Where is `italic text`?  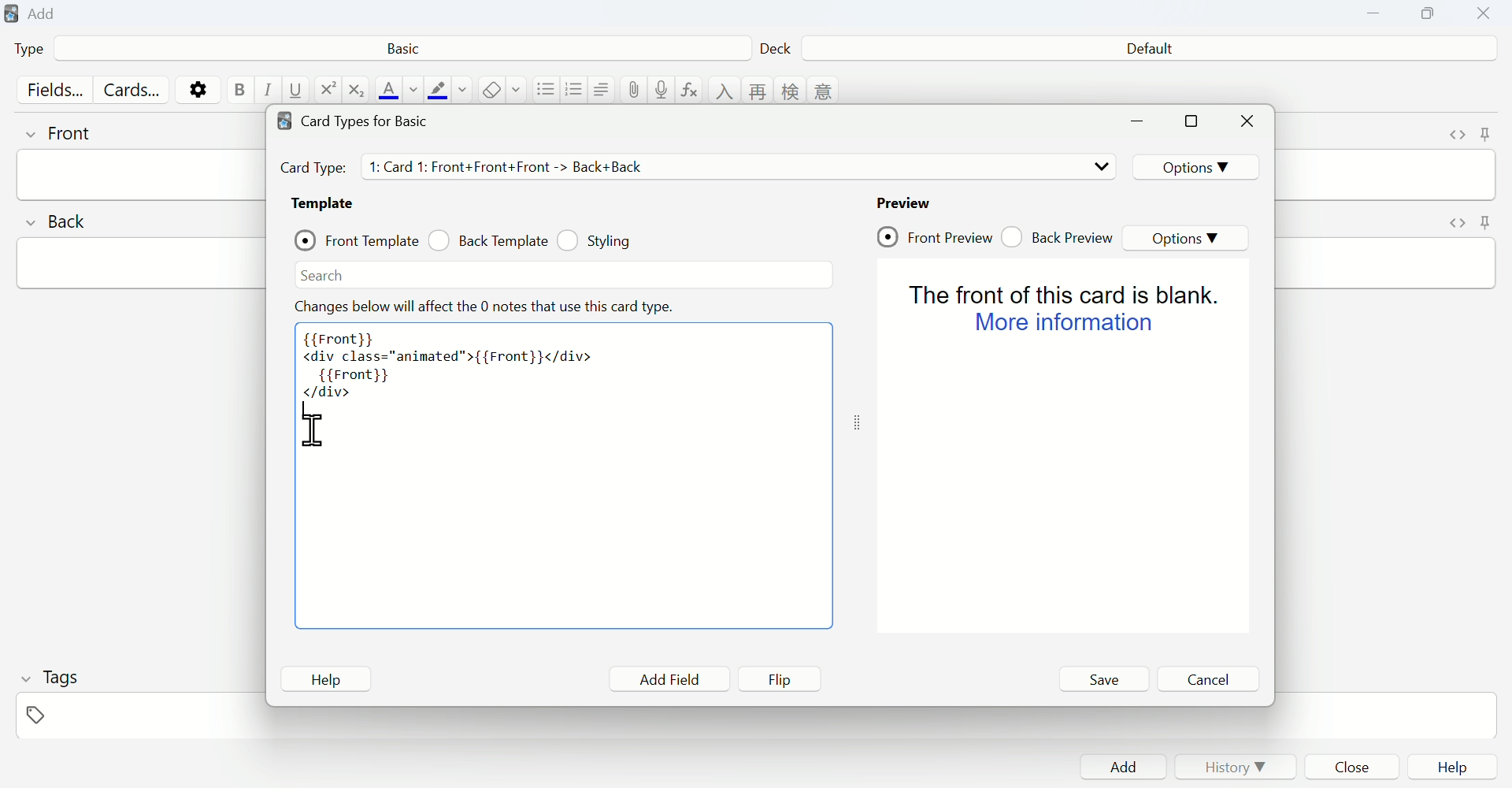
italic text is located at coordinates (268, 90).